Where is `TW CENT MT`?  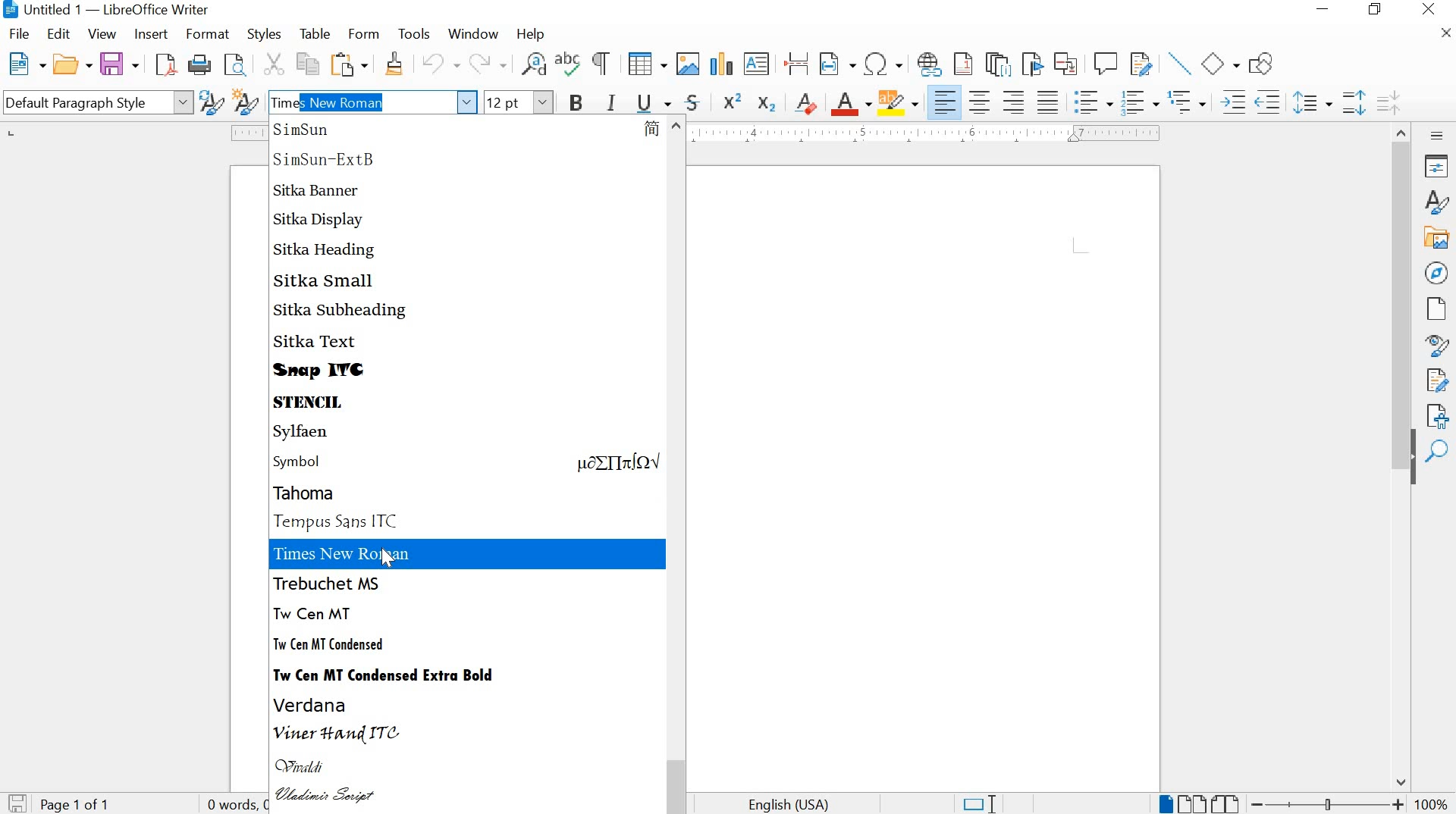 TW CENT MT is located at coordinates (318, 612).